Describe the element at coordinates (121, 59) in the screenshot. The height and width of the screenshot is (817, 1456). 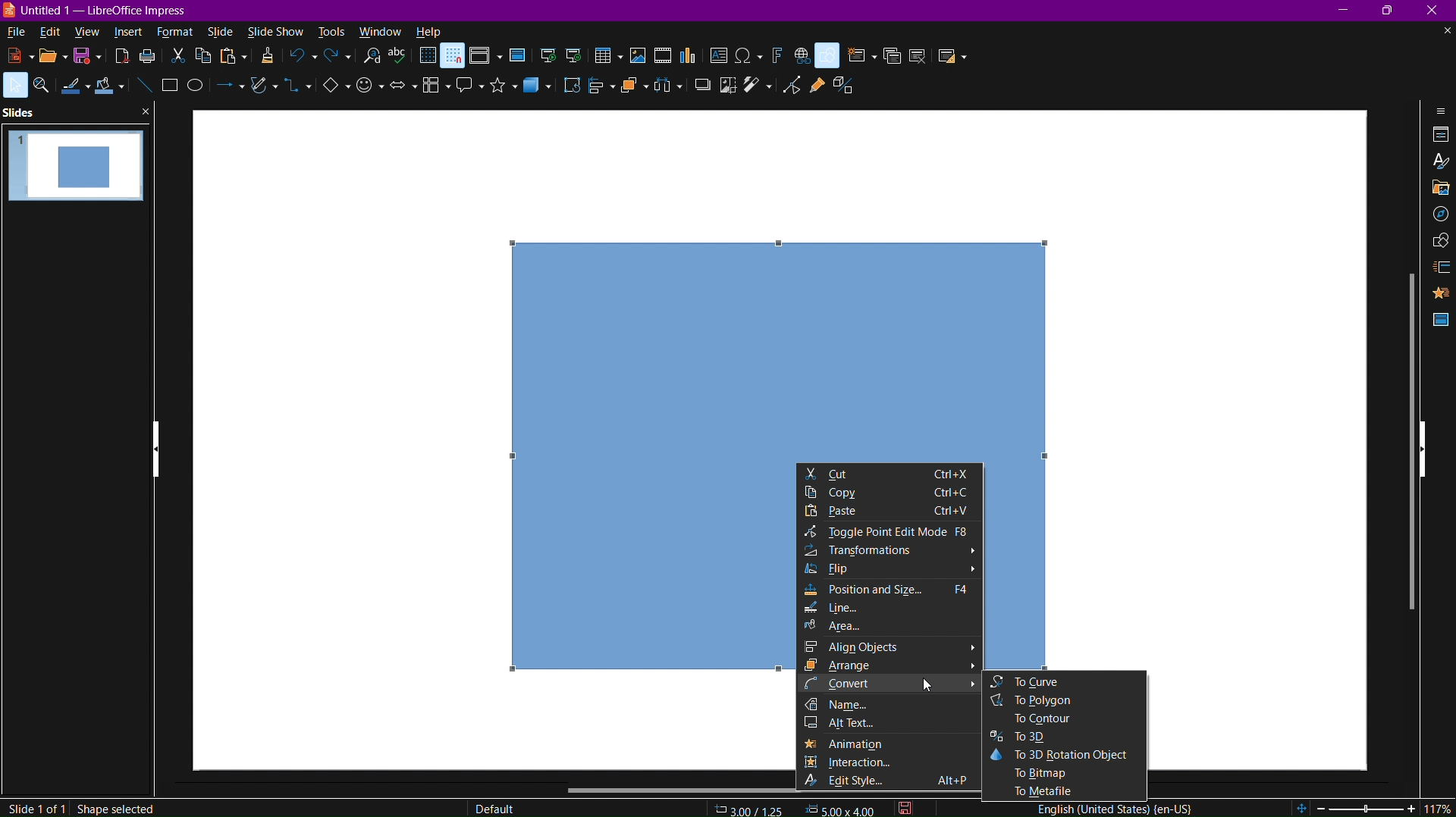
I see `export as pdf` at that location.